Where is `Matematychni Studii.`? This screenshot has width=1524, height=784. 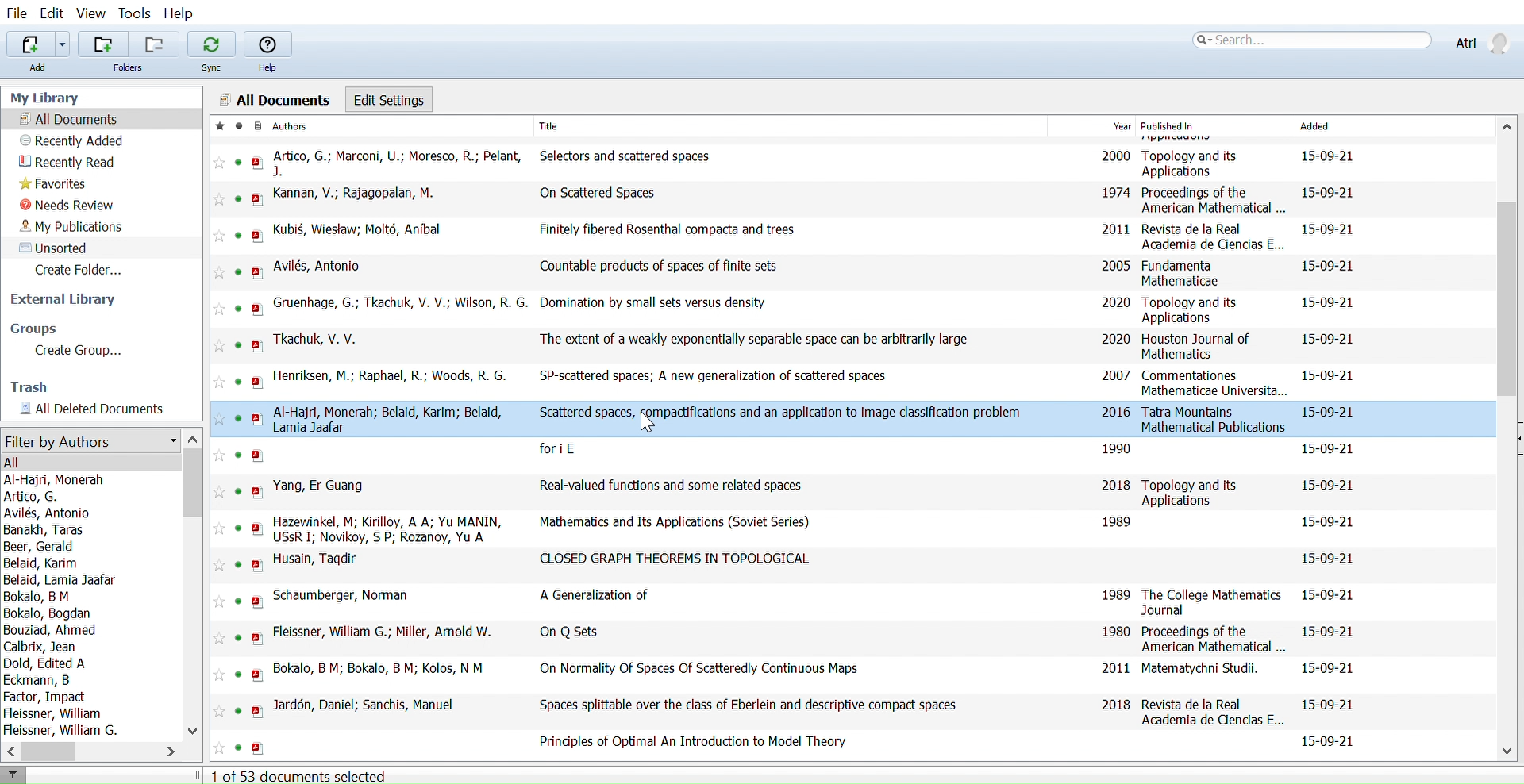
Matematychni Studii. is located at coordinates (1200, 667).